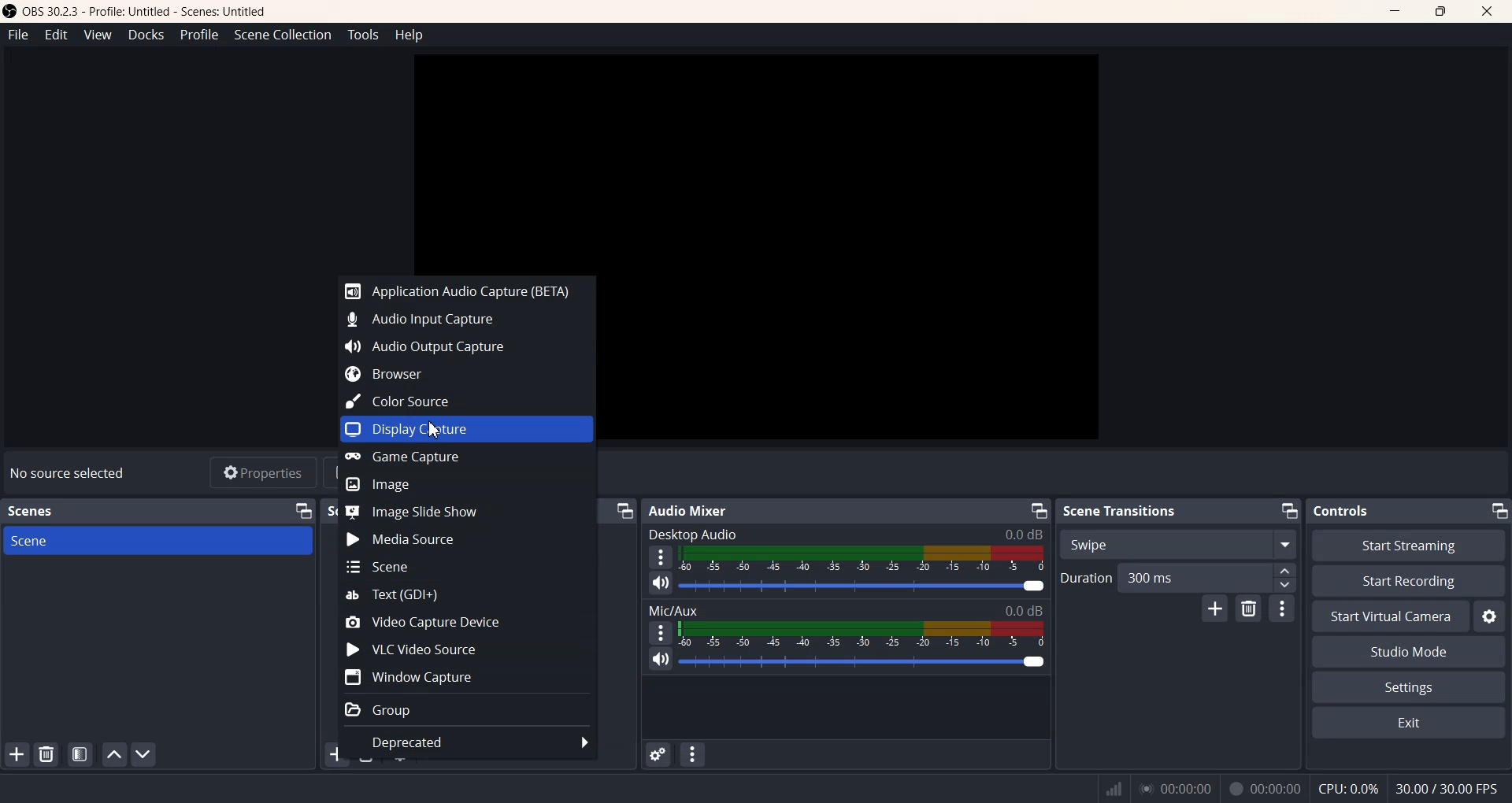  Describe the element at coordinates (435, 429) in the screenshot. I see `Cursor` at that location.